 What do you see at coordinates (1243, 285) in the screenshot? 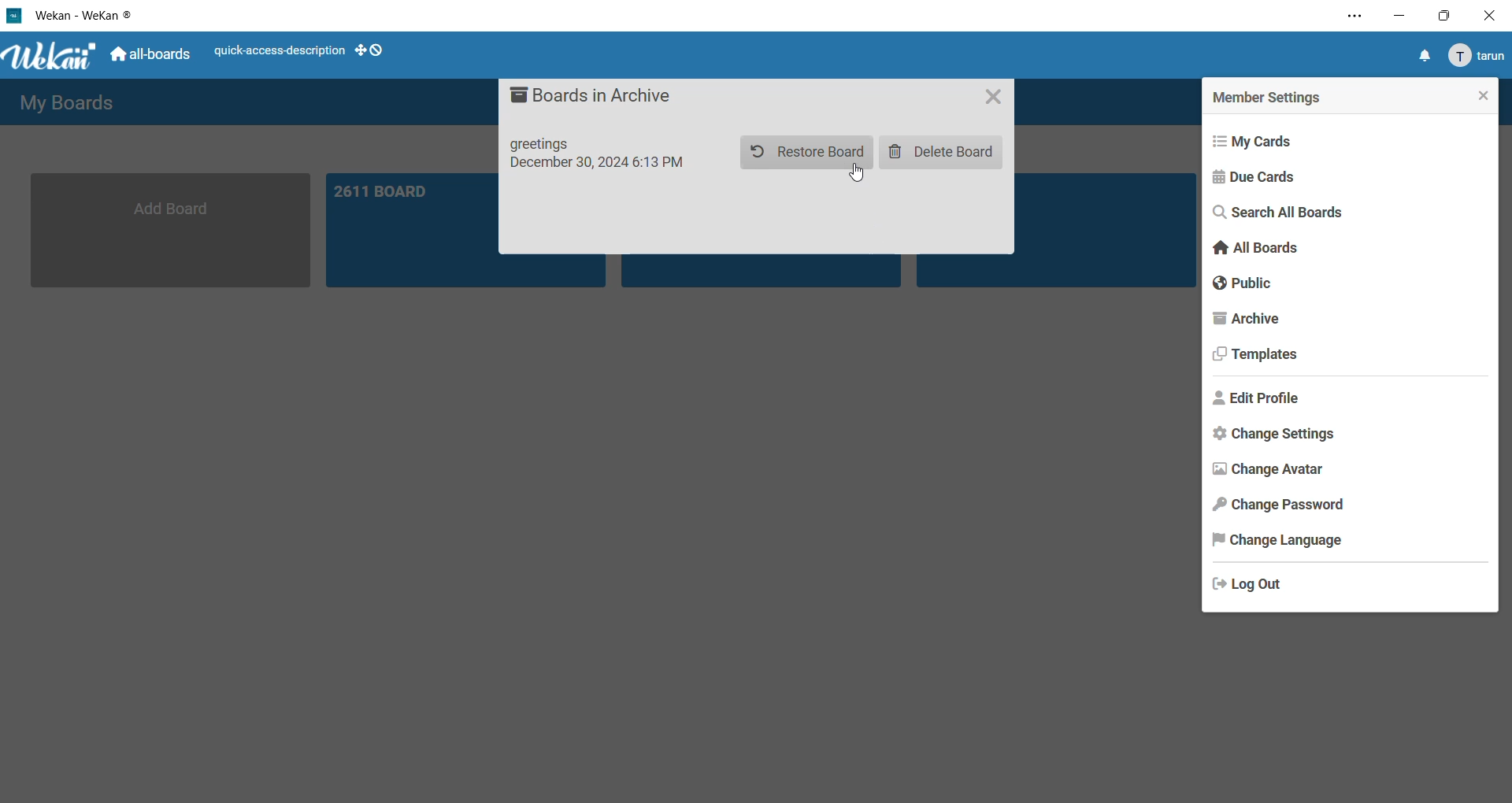
I see `public` at bounding box center [1243, 285].